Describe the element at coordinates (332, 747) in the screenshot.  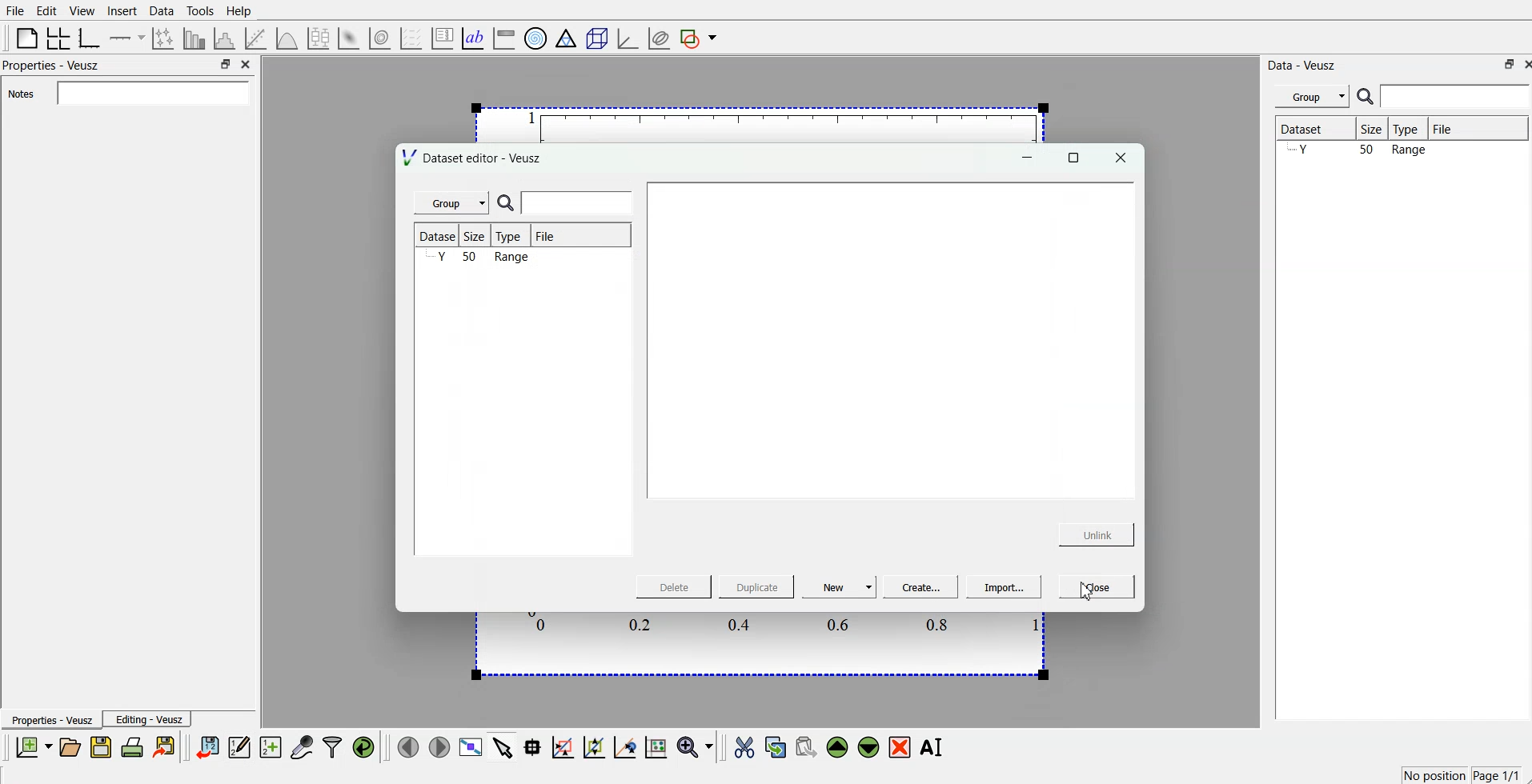
I see `filter data` at that location.